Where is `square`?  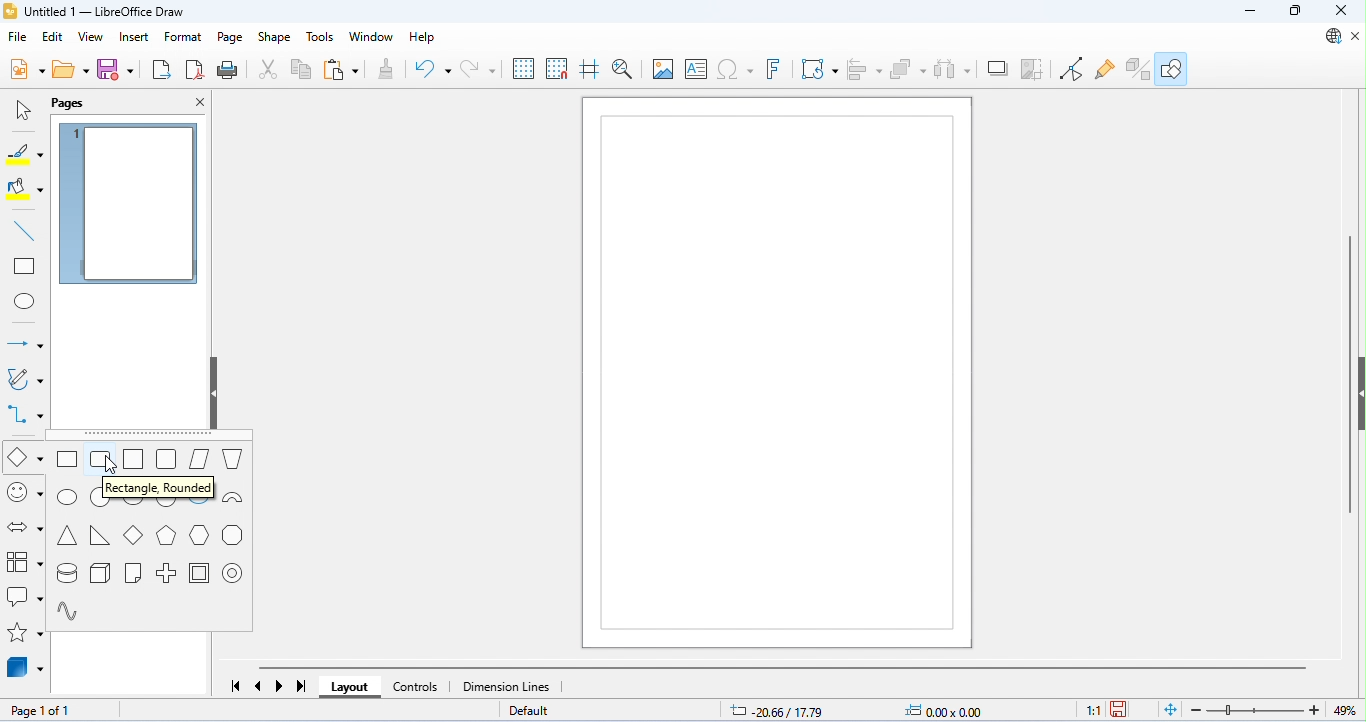 square is located at coordinates (135, 460).